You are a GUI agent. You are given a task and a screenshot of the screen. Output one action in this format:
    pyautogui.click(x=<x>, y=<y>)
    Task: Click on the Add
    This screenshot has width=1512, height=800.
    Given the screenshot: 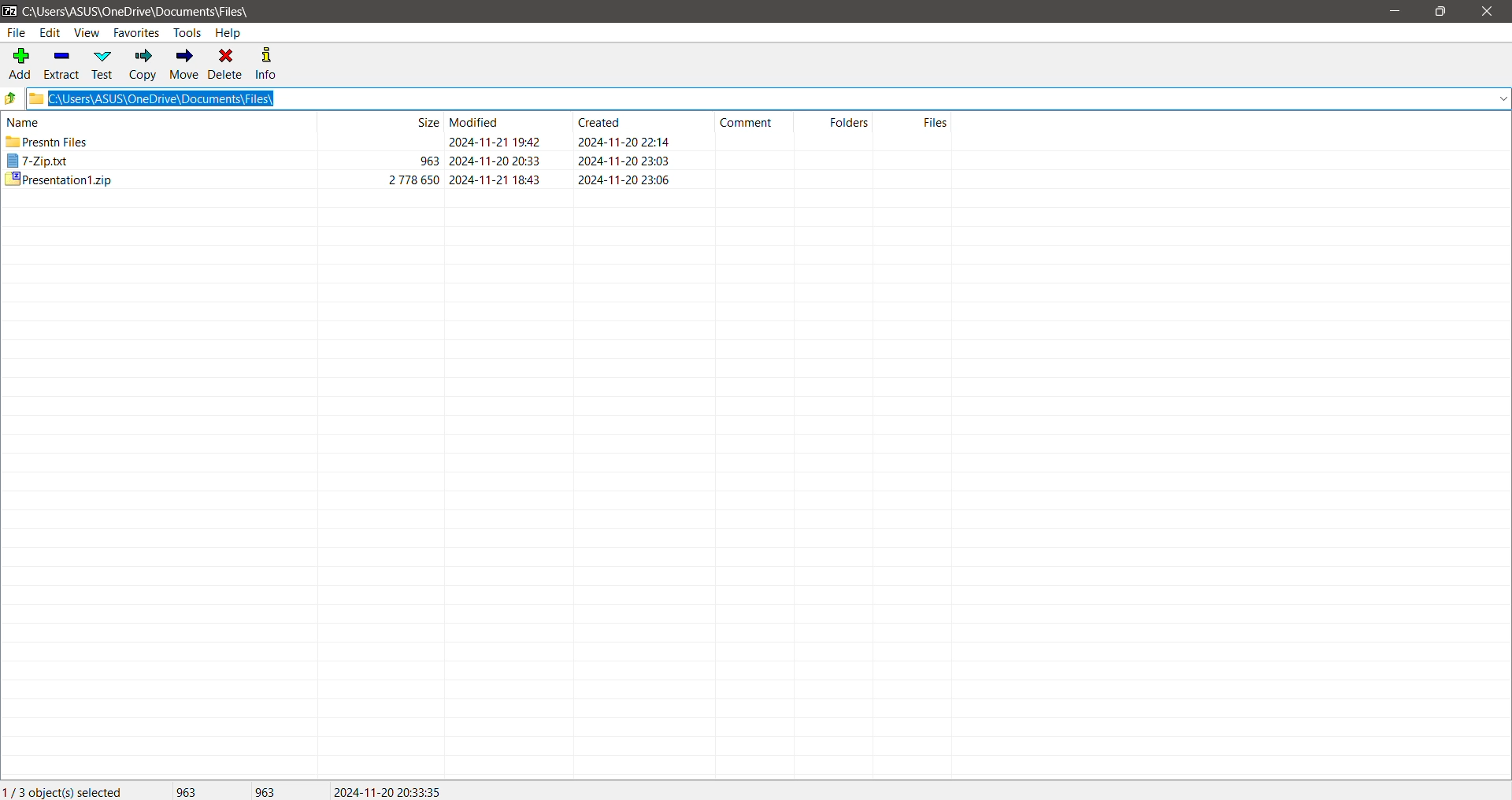 What is the action you would take?
    pyautogui.click(x=18, y=64)
    